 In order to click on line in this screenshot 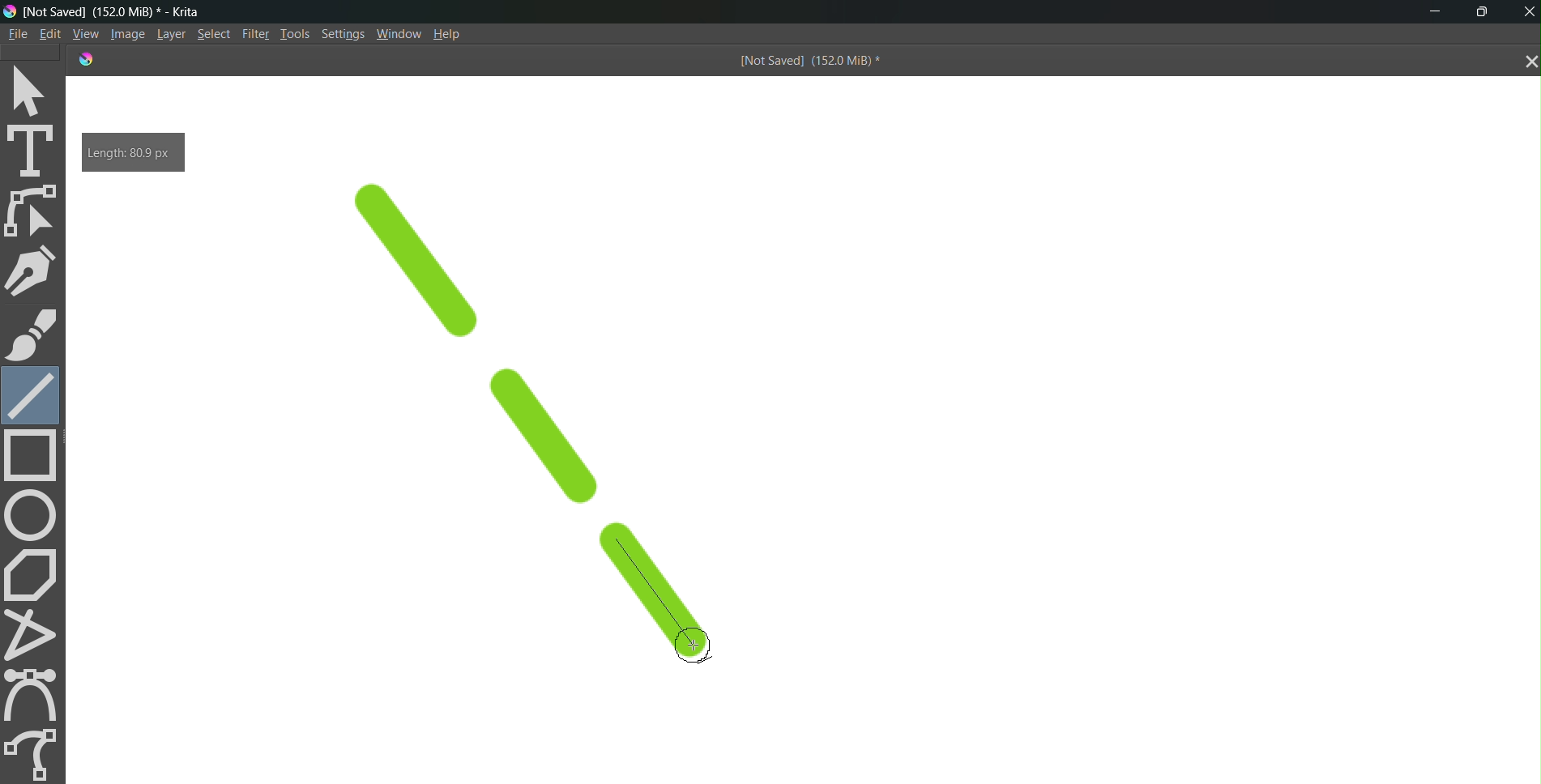, I will do `click(428, 249)`.